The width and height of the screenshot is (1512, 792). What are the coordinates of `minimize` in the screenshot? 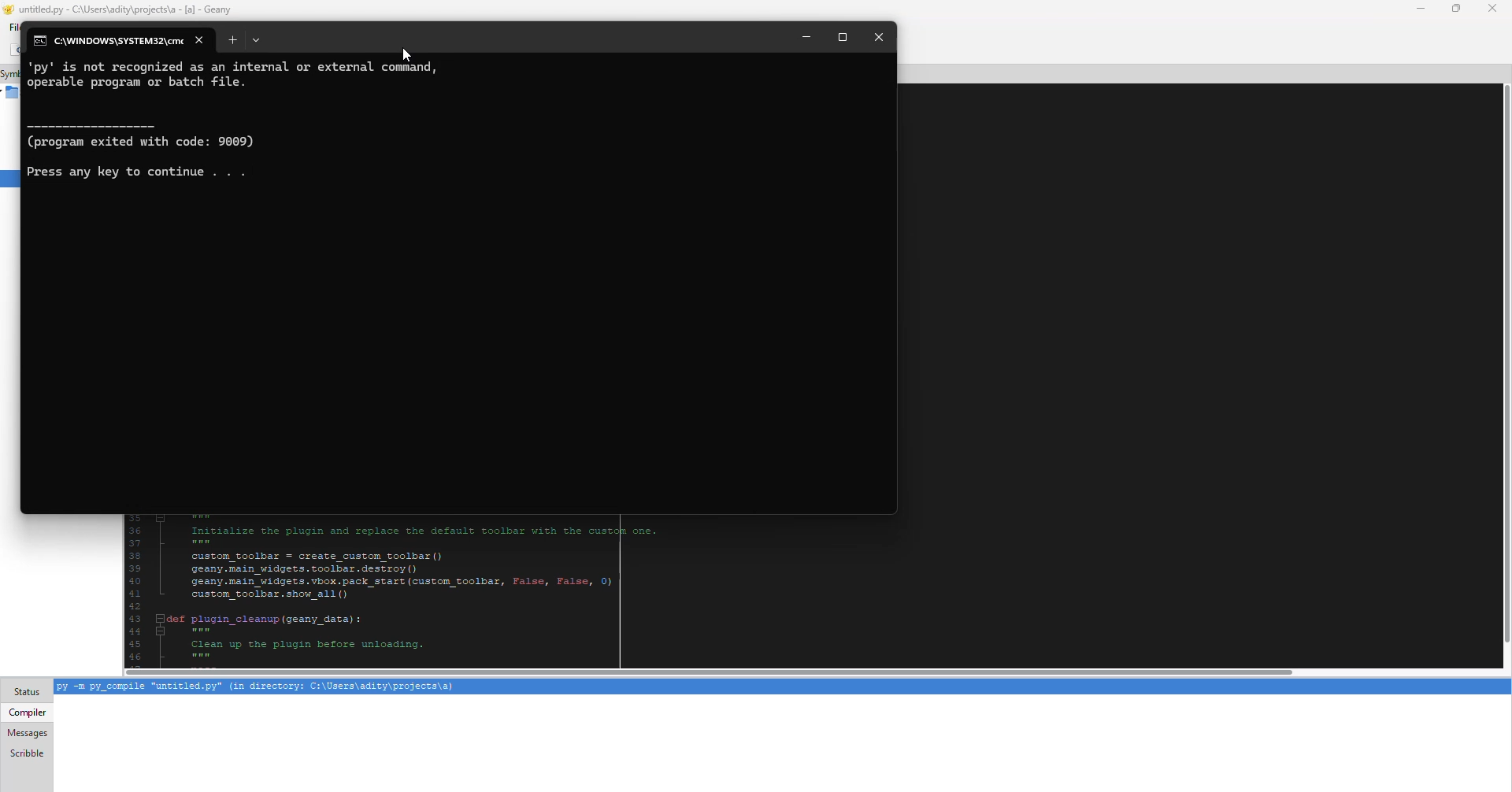 It's located at (1421, 9).